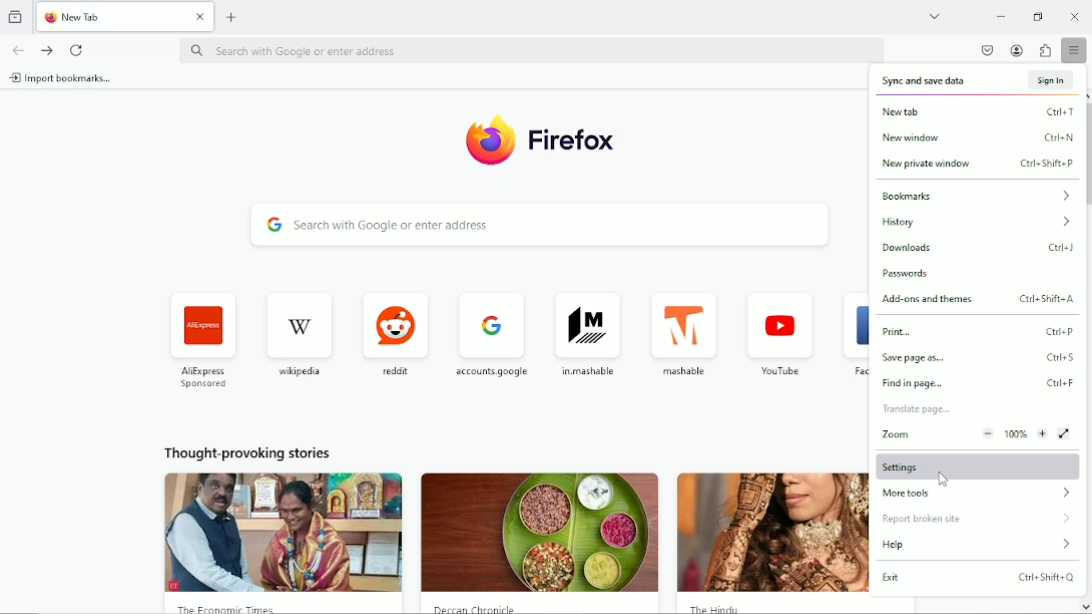  I want to click on facebook, so click(860, 335).